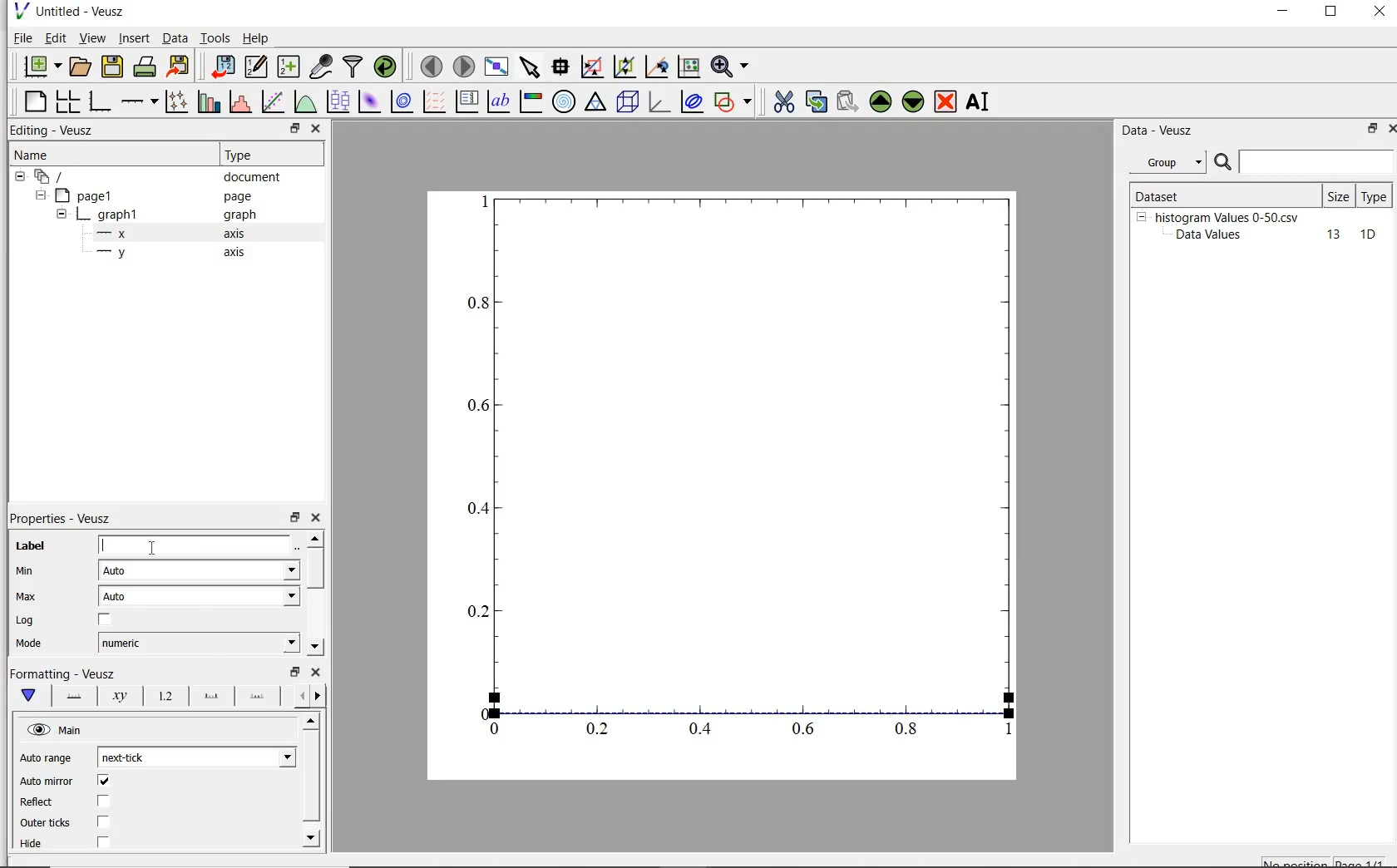  I want to click on paste the selected widget, so click(847, 103).